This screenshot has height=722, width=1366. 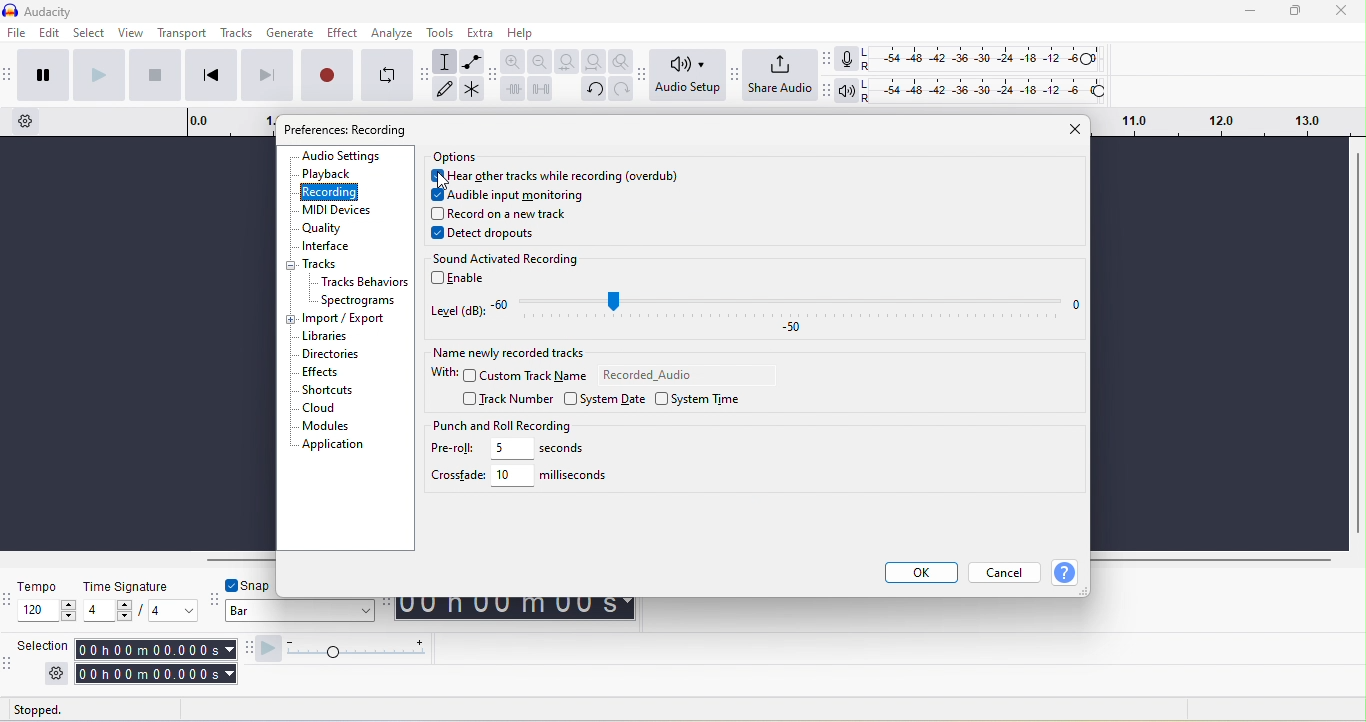 I want to click on custom track name, so click(x=528, y=376).